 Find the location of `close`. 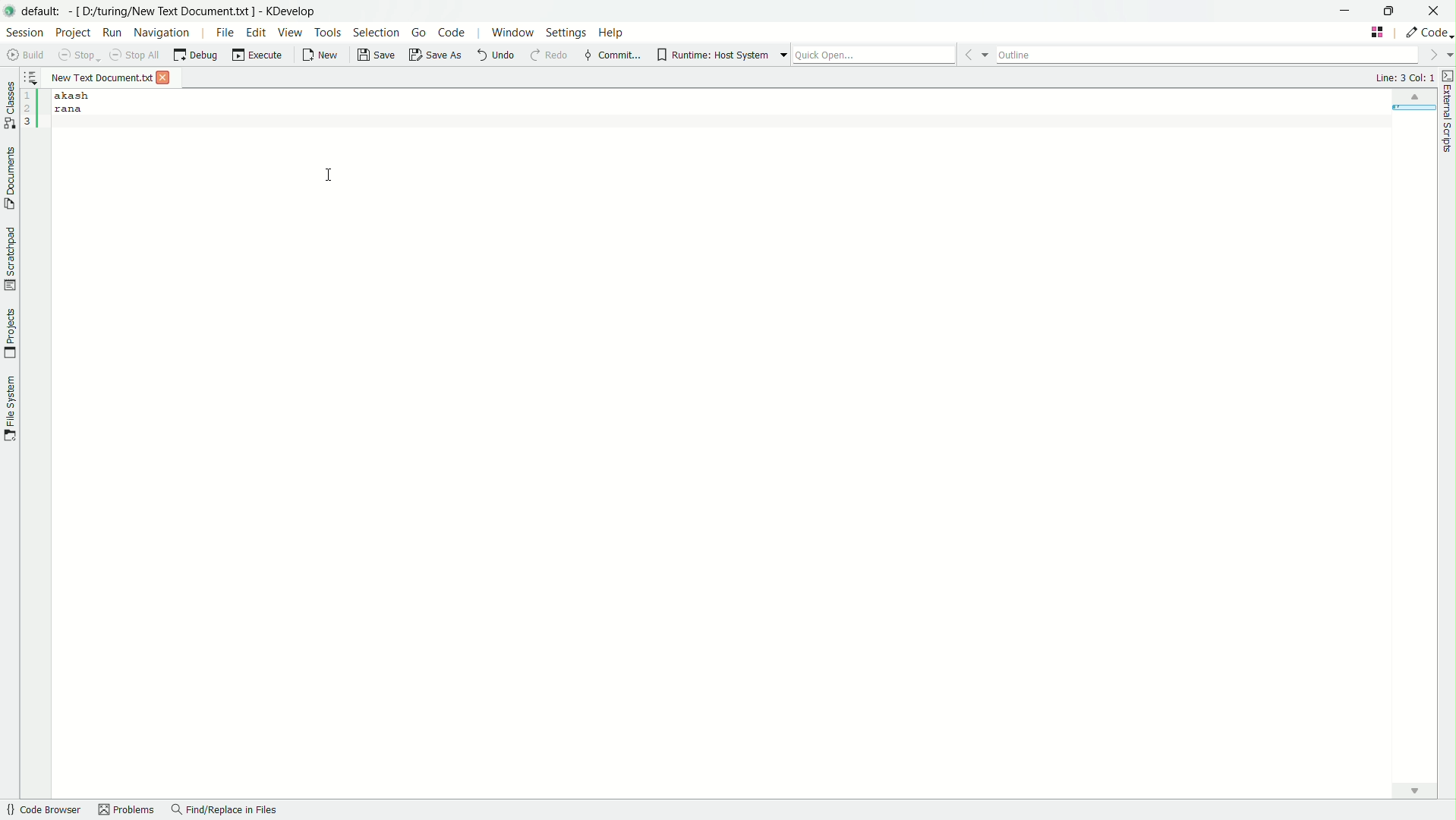

close is located at coordinates (1438, 10).